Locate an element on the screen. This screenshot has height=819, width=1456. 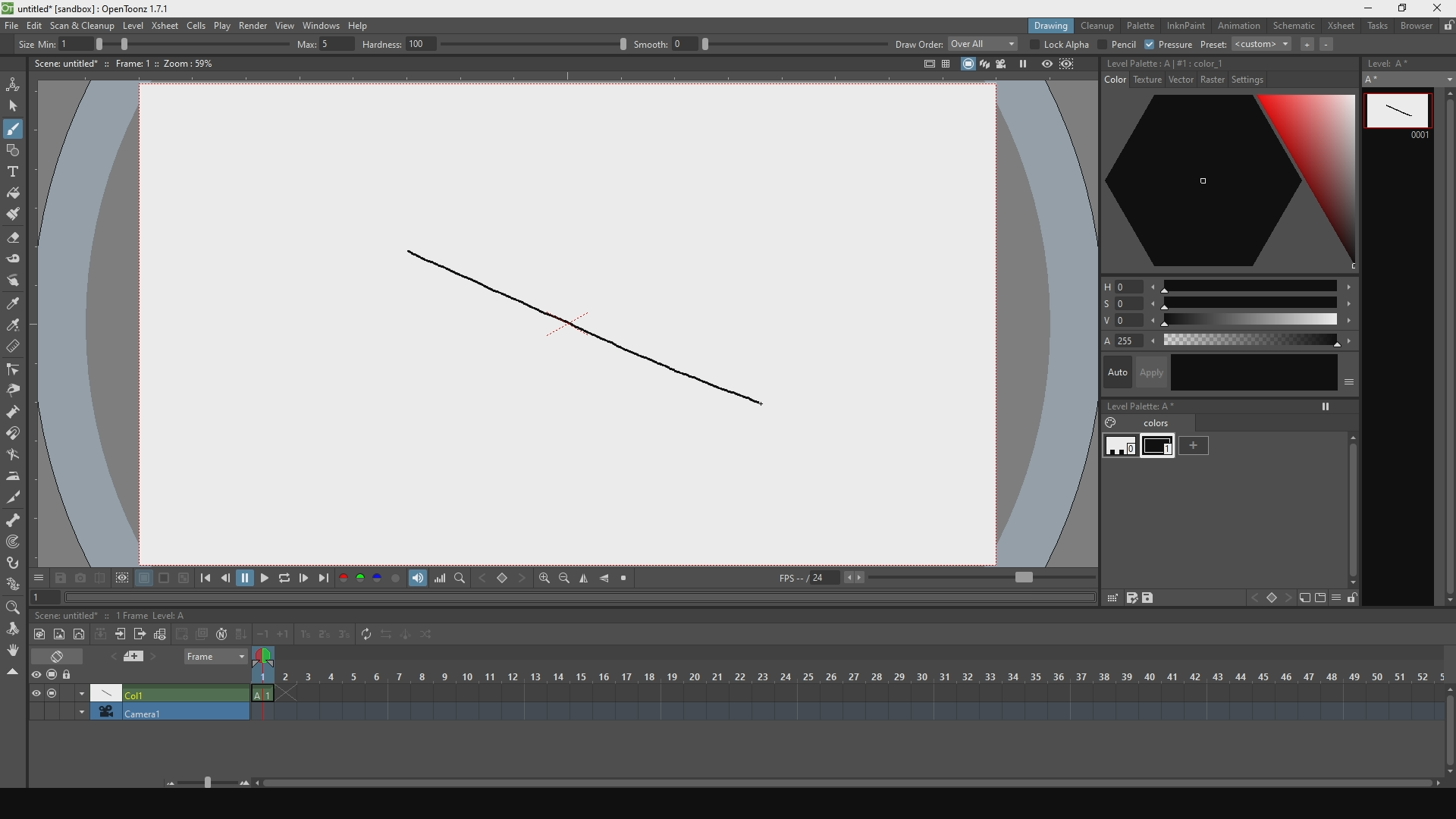
text is located at coordinates (14, 170).